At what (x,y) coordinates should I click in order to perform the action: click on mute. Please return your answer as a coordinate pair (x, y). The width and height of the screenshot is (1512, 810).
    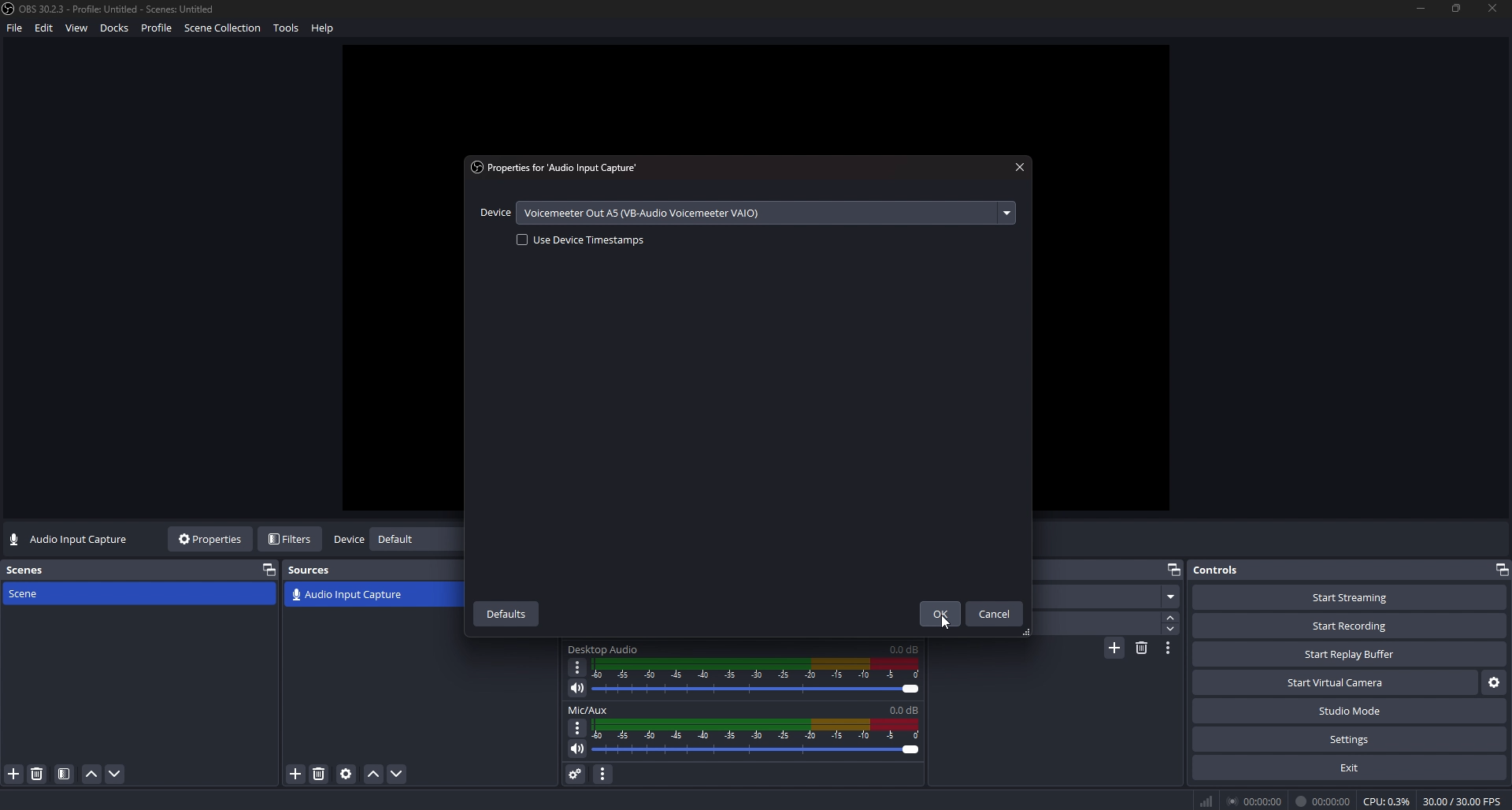
    Looking at the image, I should click on (577, 688).